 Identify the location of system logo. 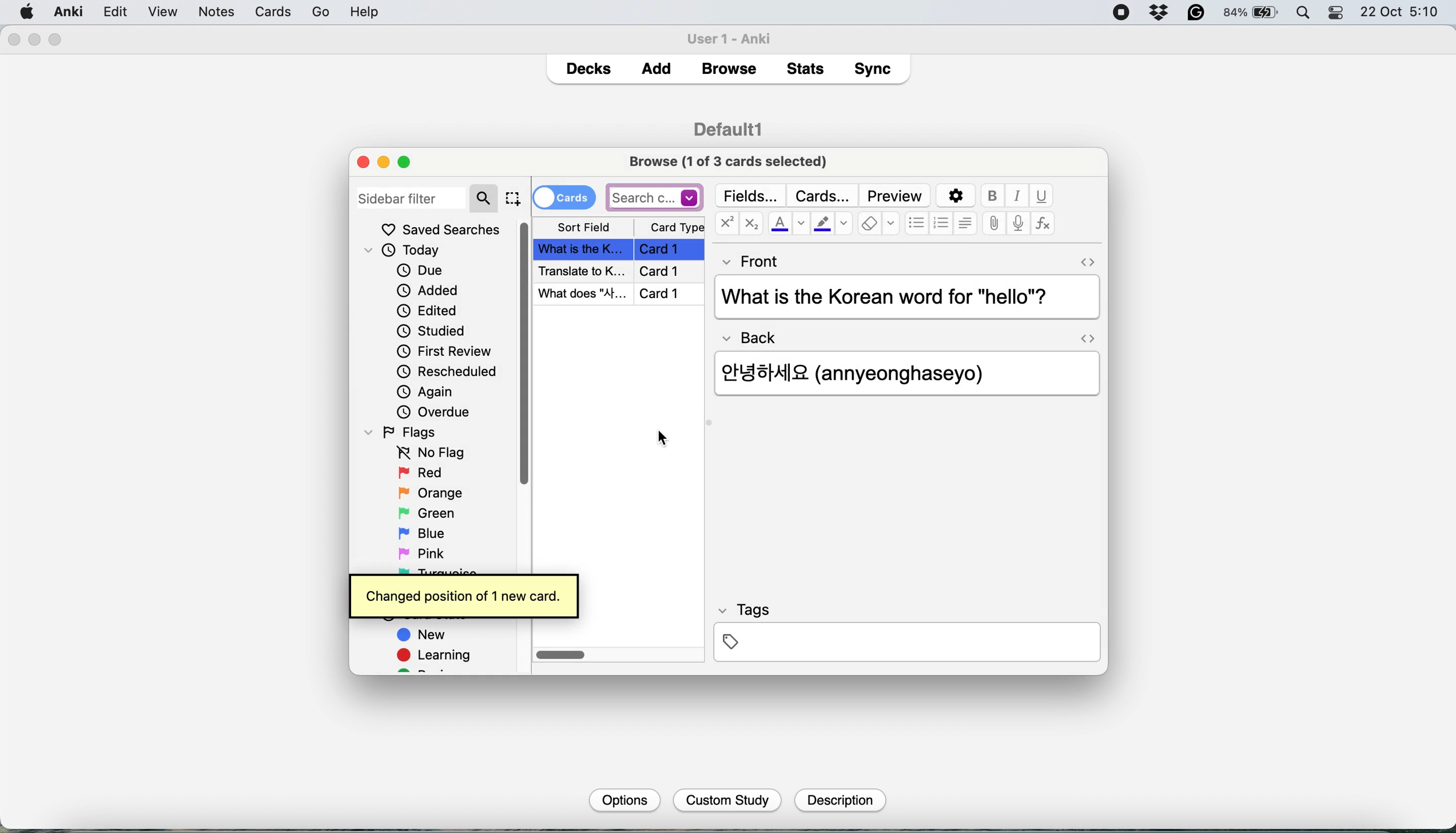
(27, 11).